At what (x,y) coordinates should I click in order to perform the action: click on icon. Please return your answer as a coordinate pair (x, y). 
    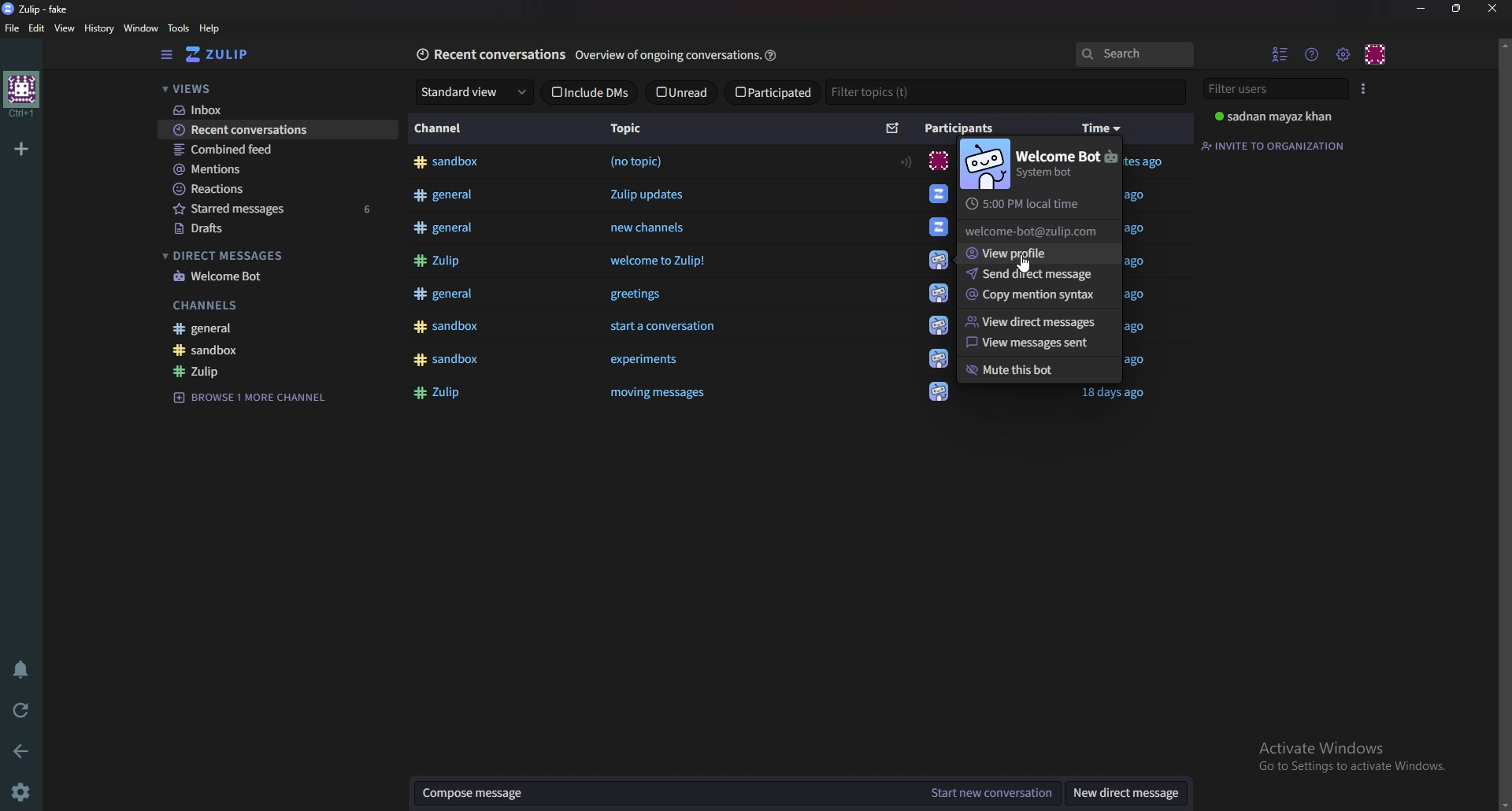
    Looking at the image, I should click on (939, 295).